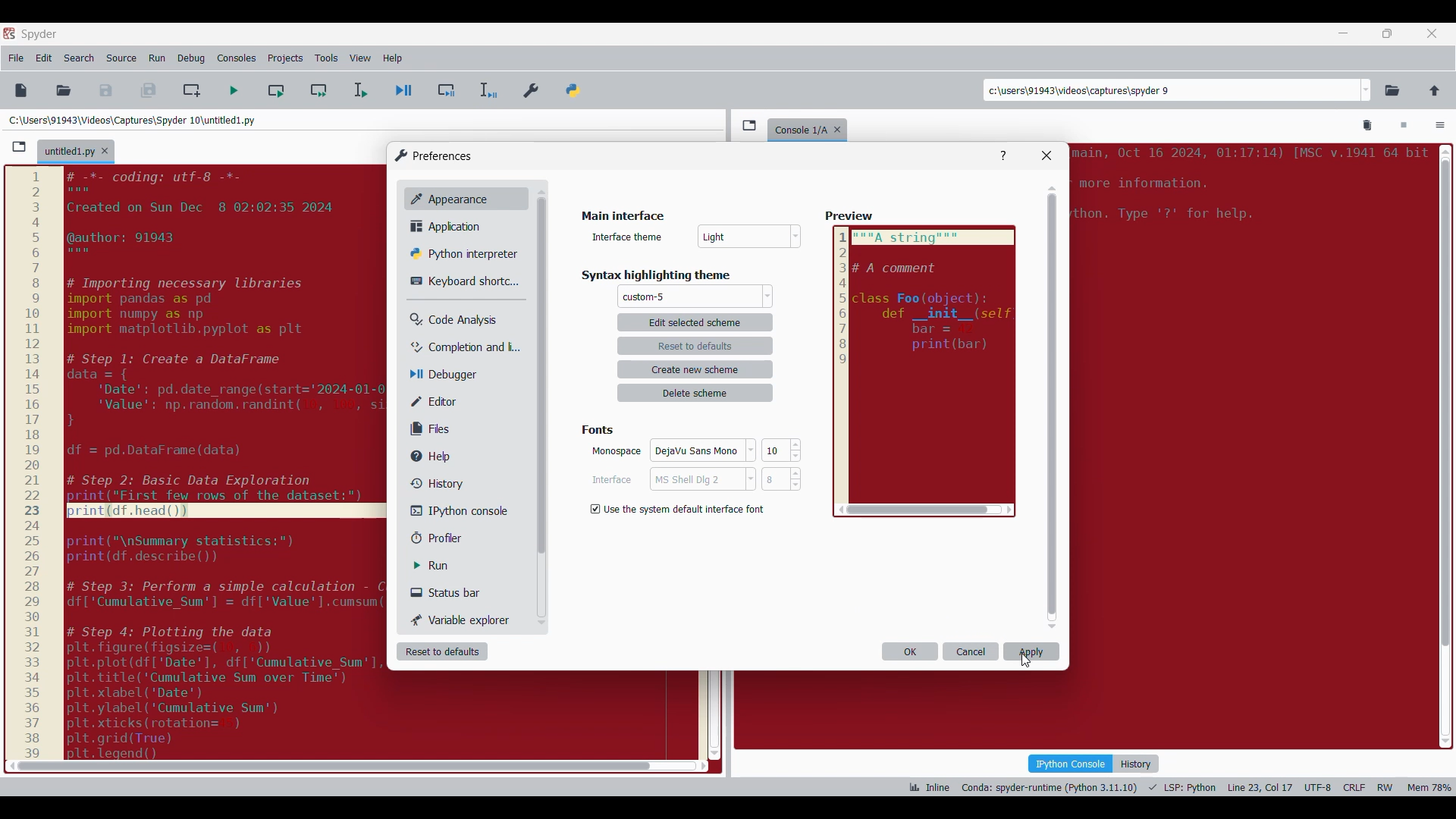  Describe the element at coordinates (191, 58) in the screenshot. I see `Debug menu` at that location.